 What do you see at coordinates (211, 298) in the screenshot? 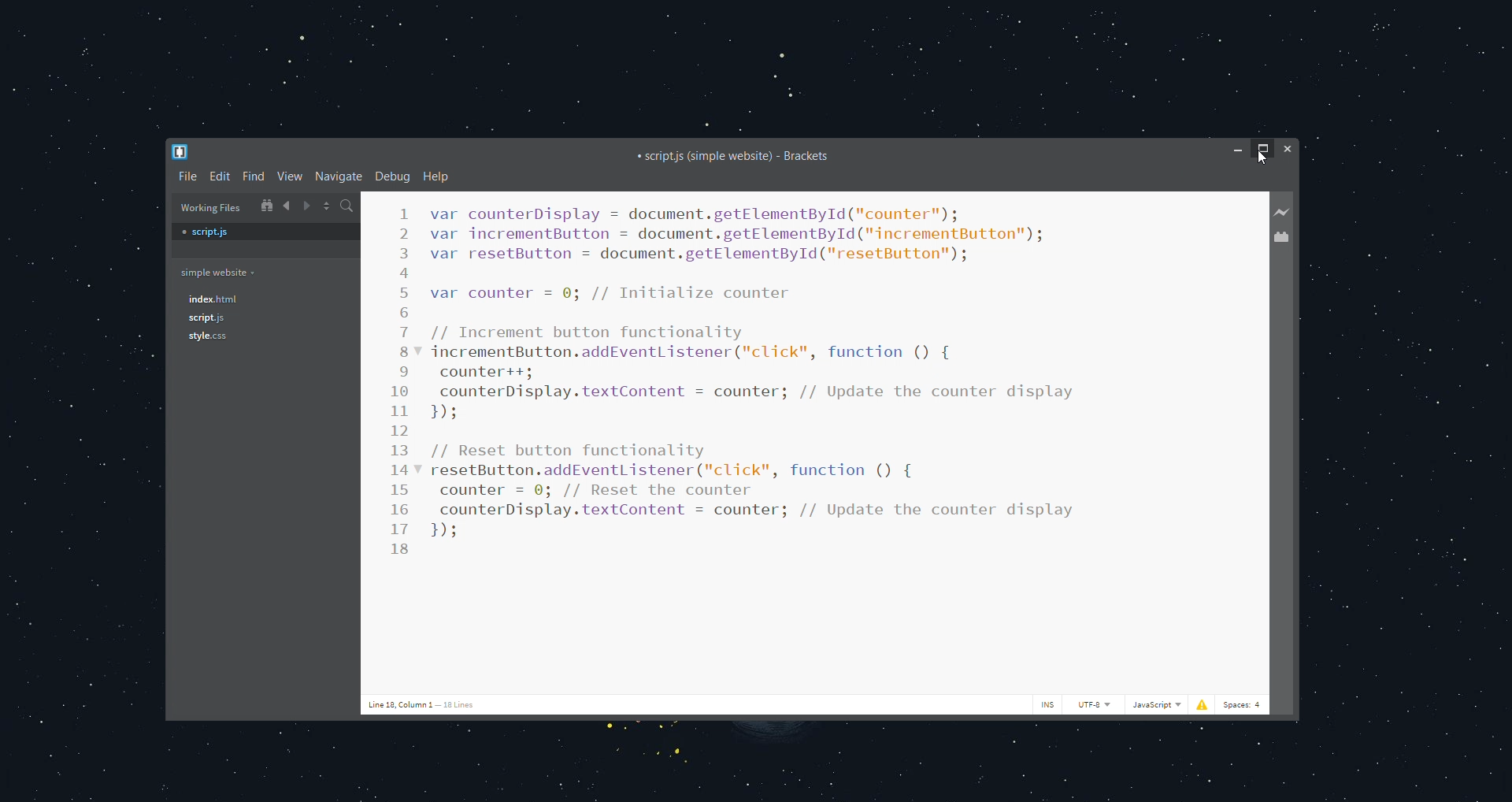
I see `index.html` at bounding box center [211, 298].